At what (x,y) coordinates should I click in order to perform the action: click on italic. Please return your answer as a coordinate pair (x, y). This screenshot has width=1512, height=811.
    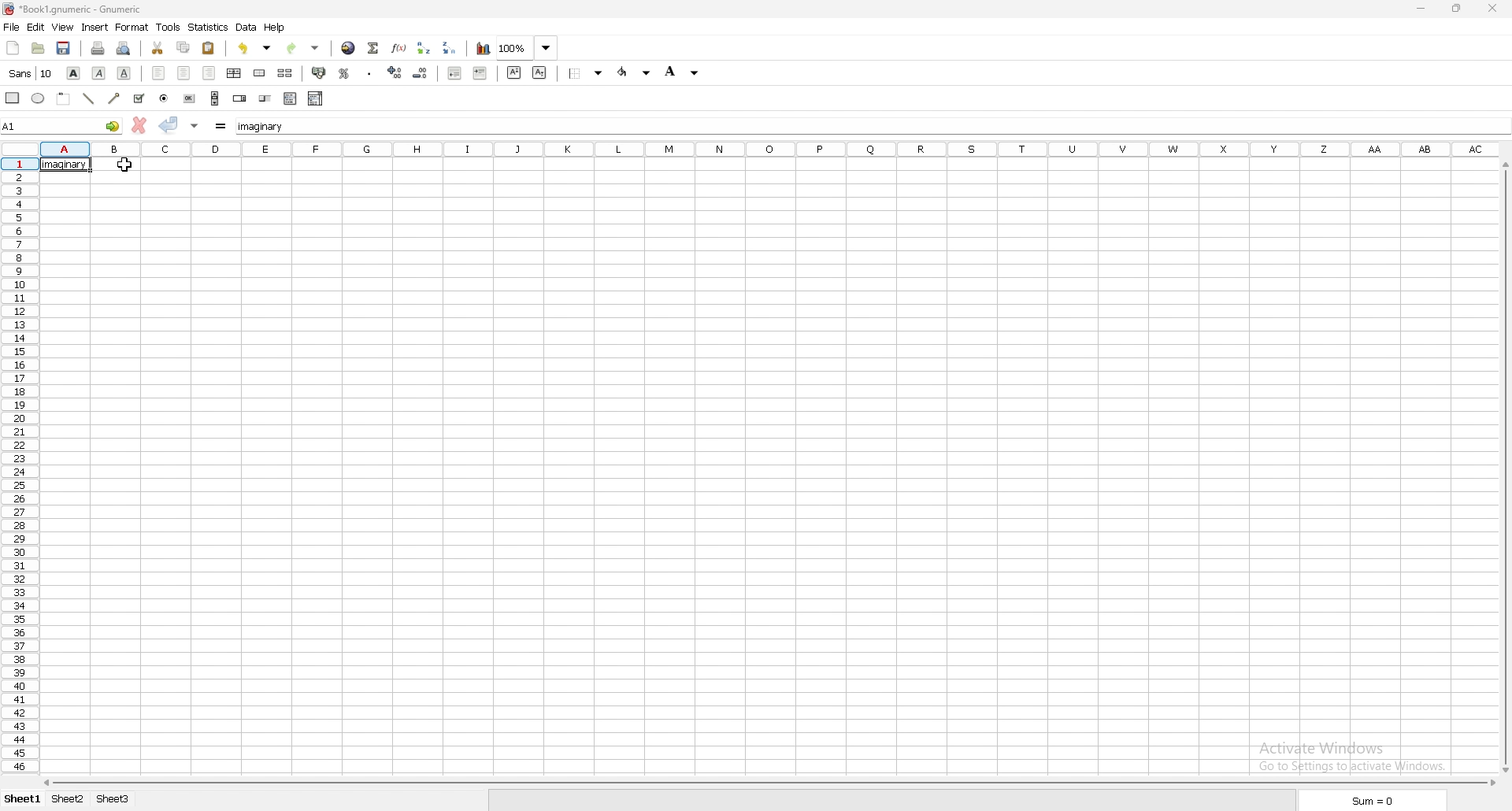
    Looking at the image, I should click on (99, 72).